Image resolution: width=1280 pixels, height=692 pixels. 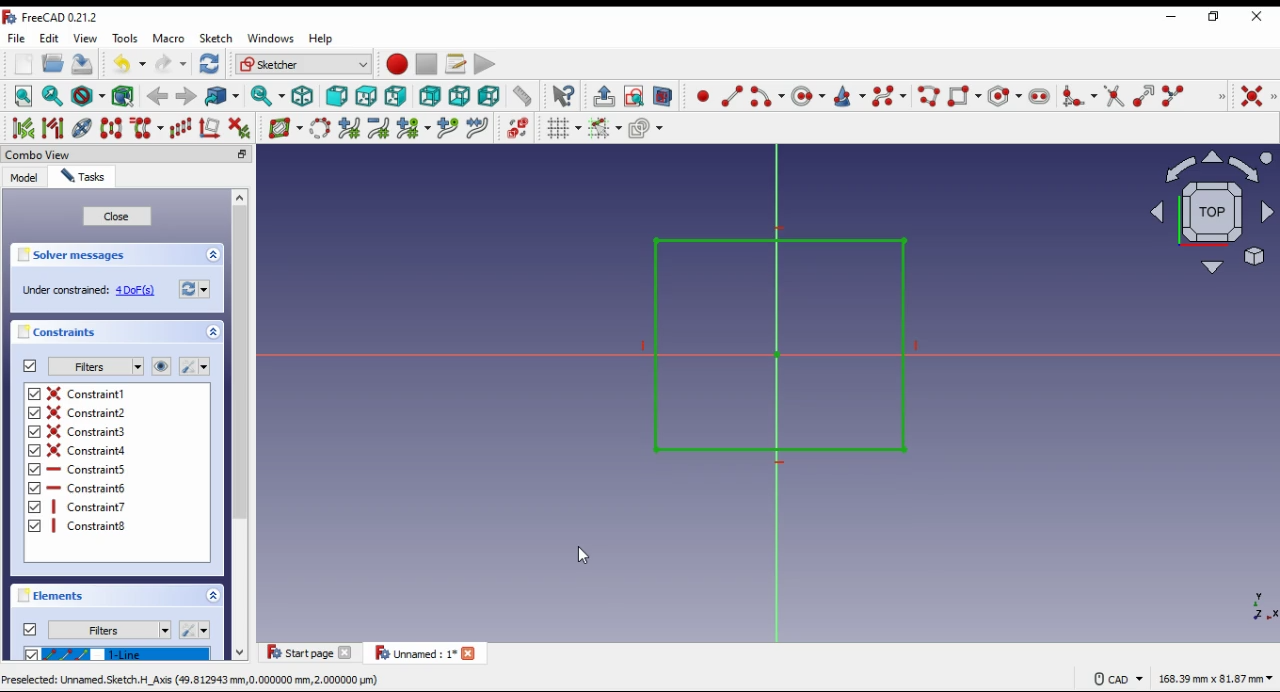 I want to click on show hide internal geometry, so click(x=80, y=128).